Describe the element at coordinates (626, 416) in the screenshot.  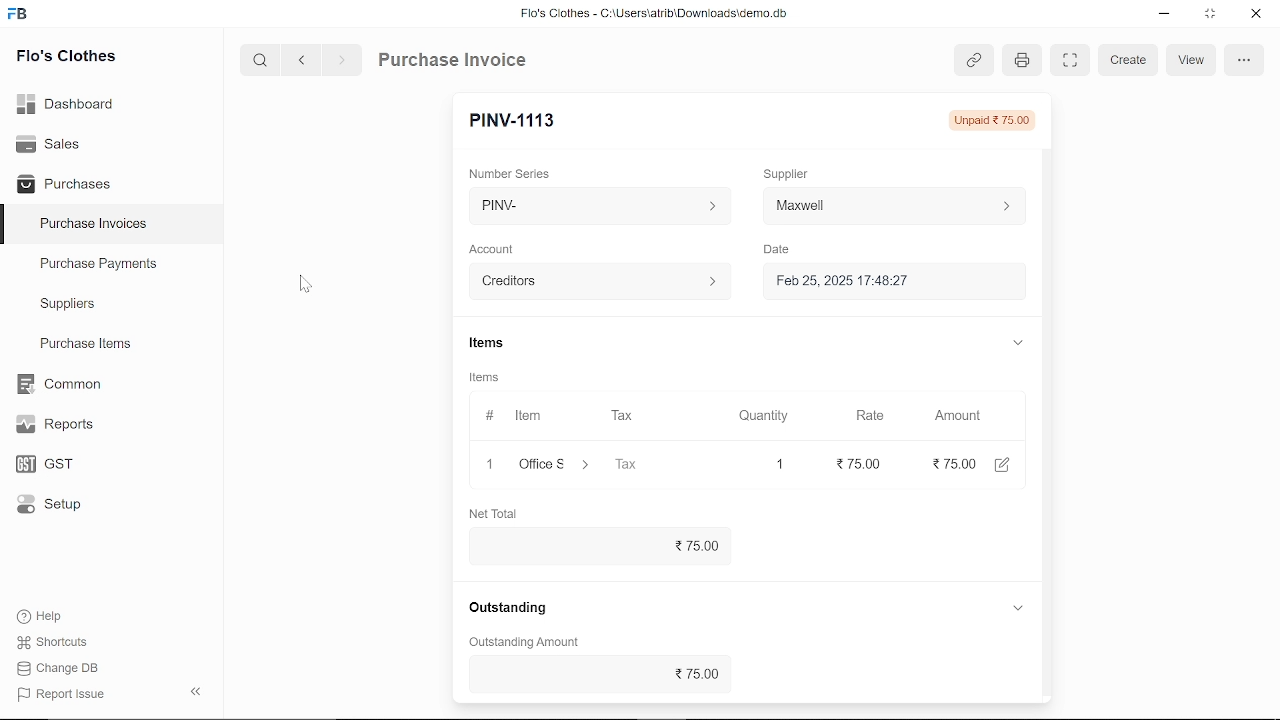
I see `Tax` at that location.